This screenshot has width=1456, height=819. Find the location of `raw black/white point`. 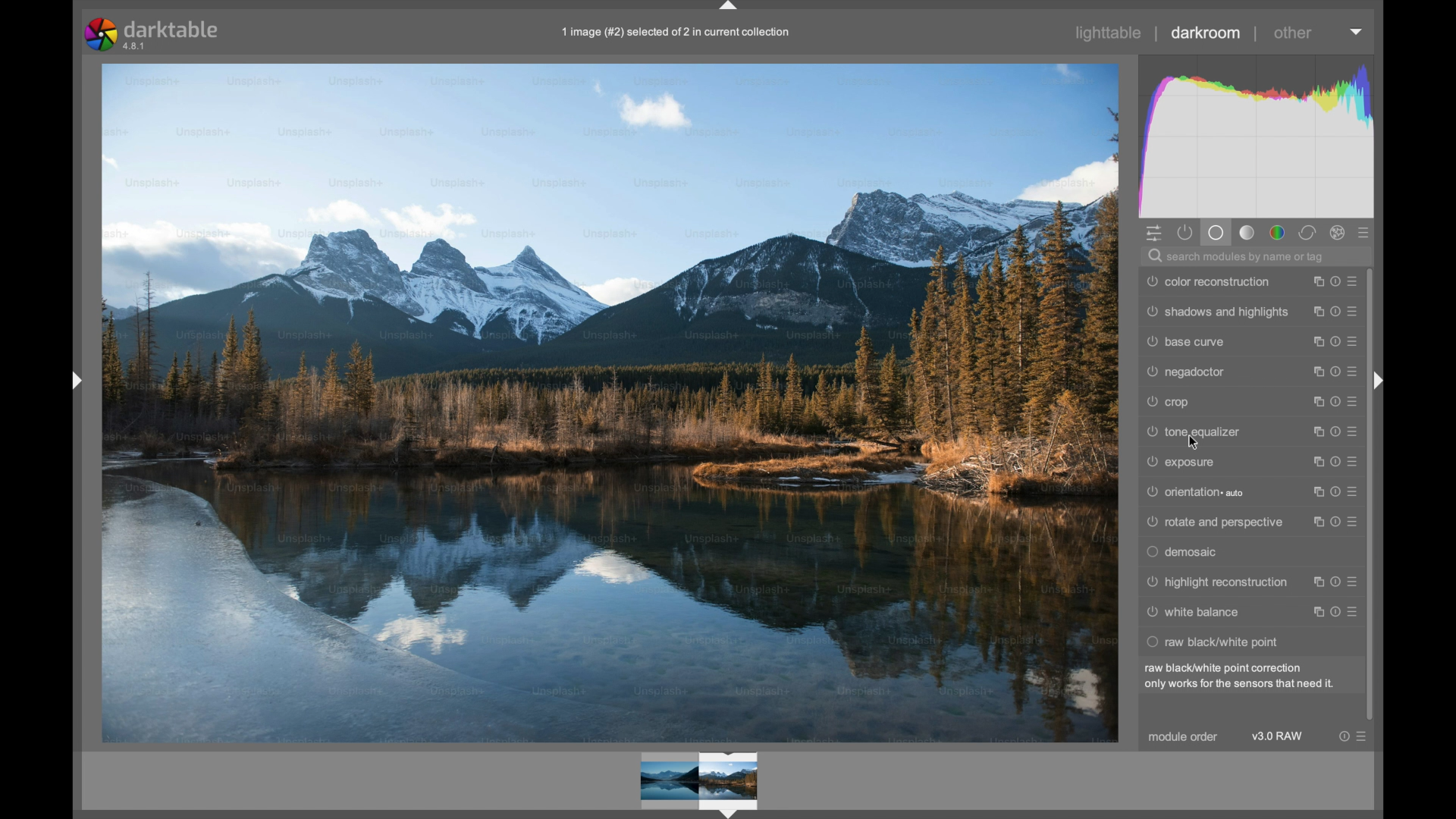

raw black/white point is located at coordinates (1214, 642).